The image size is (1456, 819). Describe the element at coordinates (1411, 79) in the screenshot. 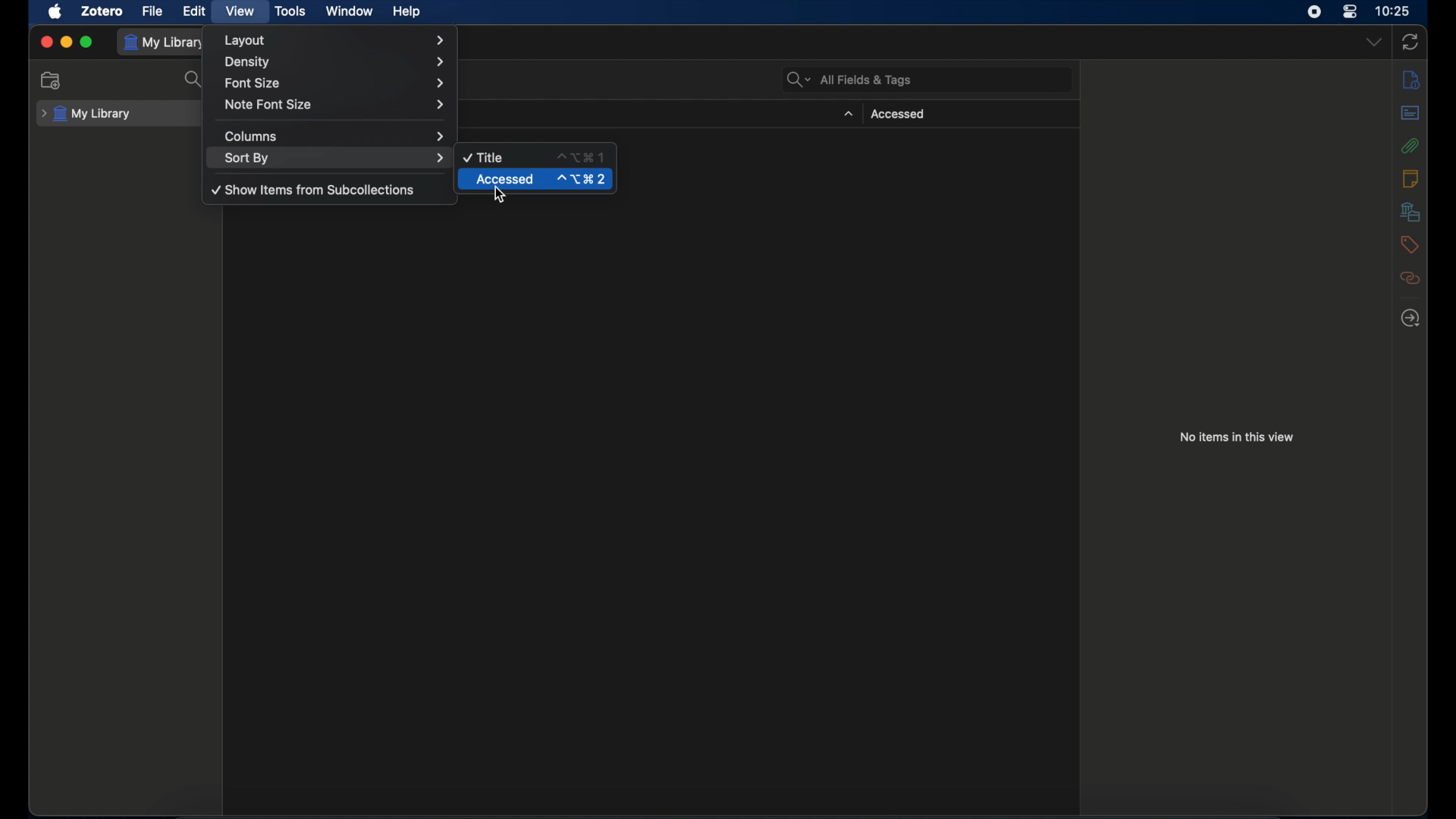

I see `notes` at that location.